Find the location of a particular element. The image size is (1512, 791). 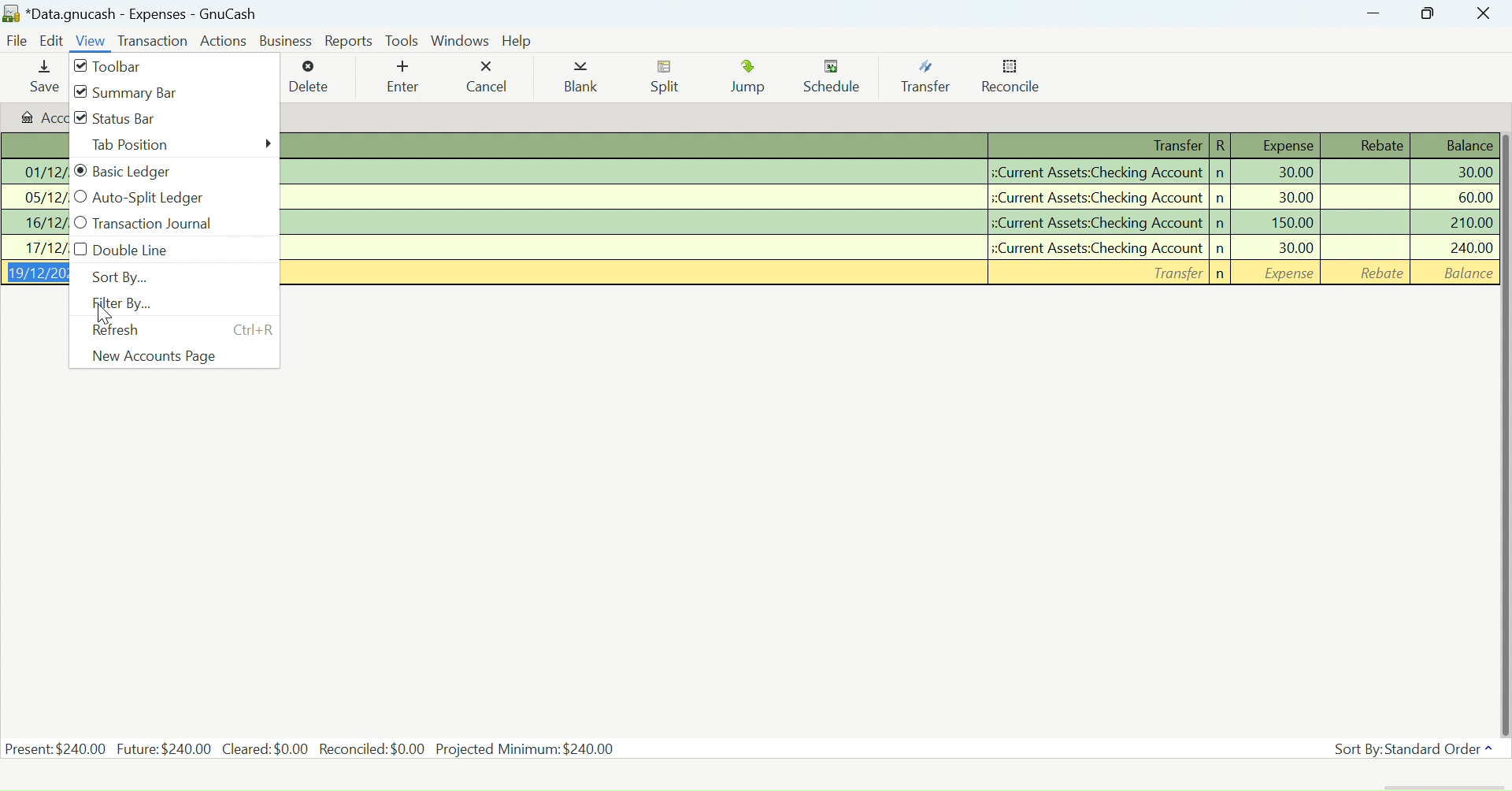

Windows is located at coordinates (461, 40).